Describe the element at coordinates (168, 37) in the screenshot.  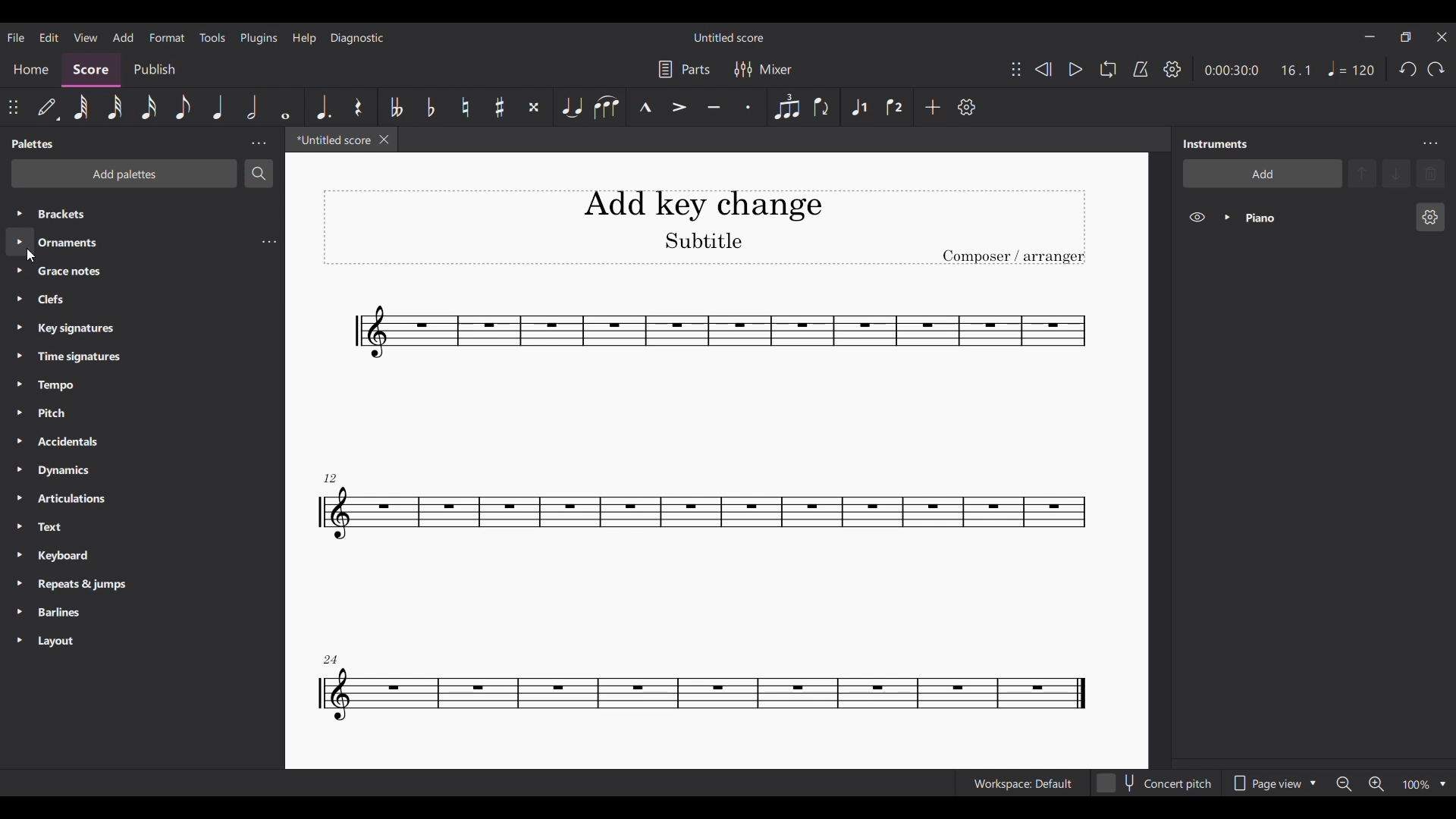
I see `Format menu` at that location.